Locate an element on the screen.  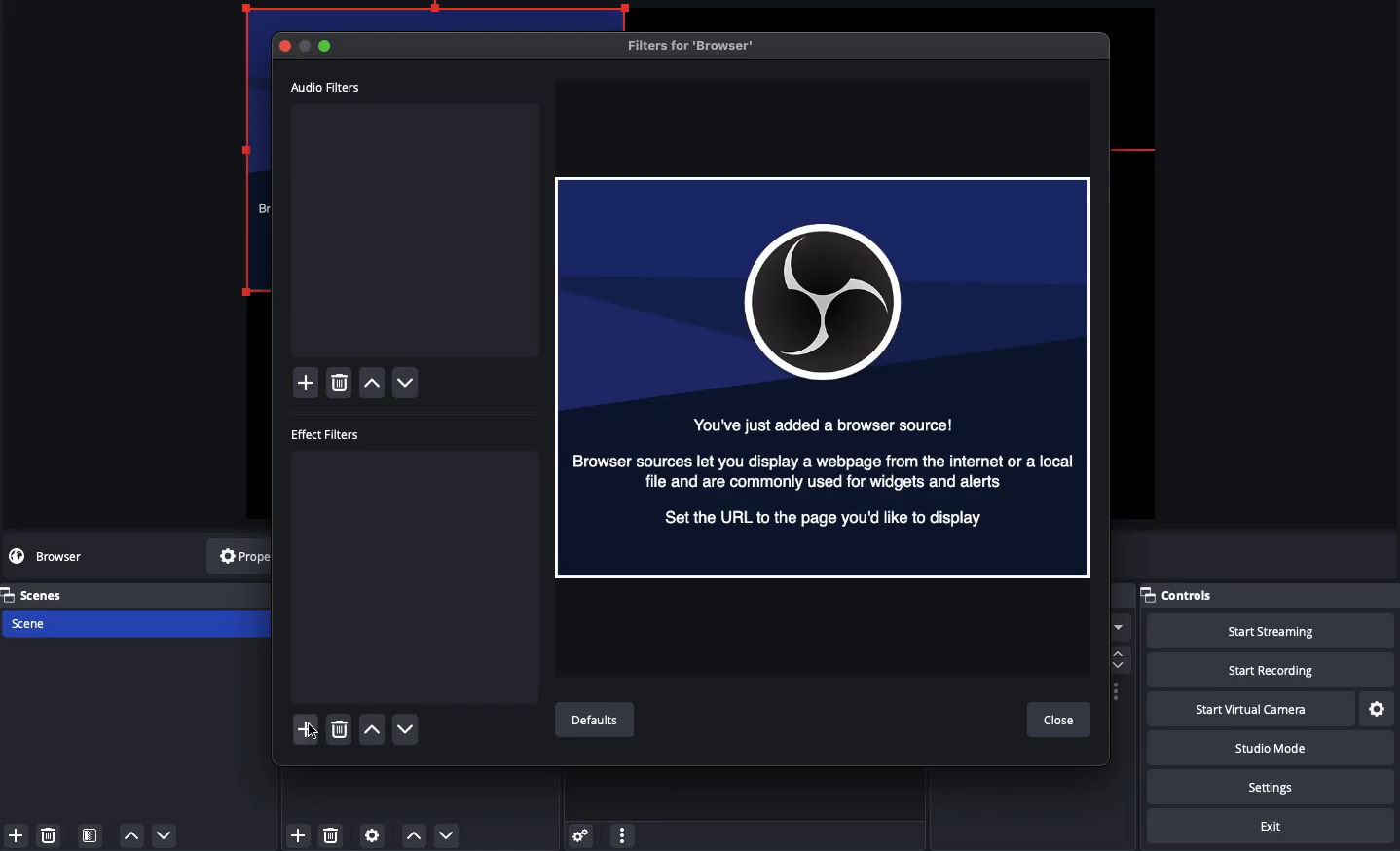
up is located at coordinates (374, 728).